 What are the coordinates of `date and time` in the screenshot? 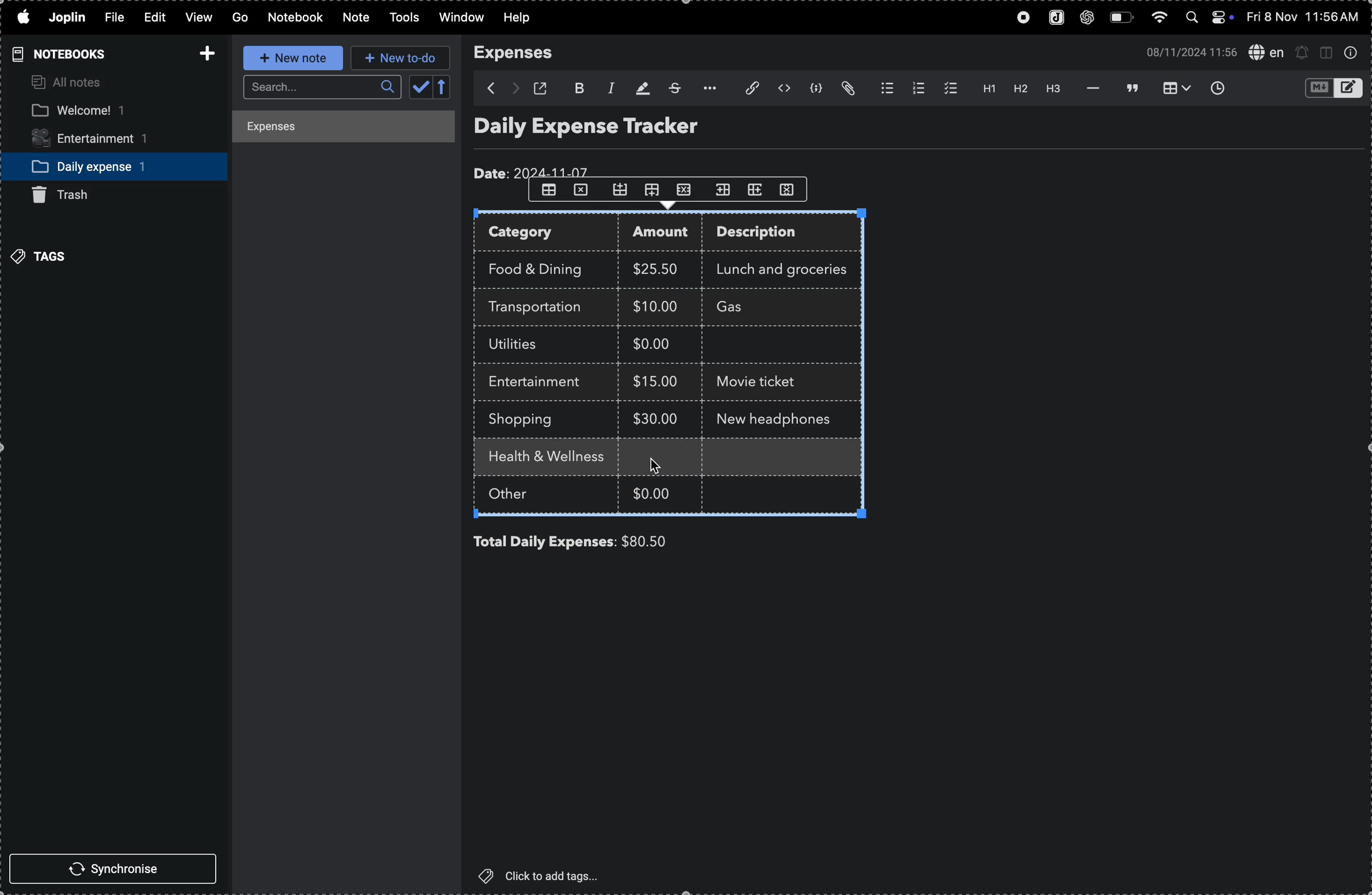 It's located at (1305, 17).